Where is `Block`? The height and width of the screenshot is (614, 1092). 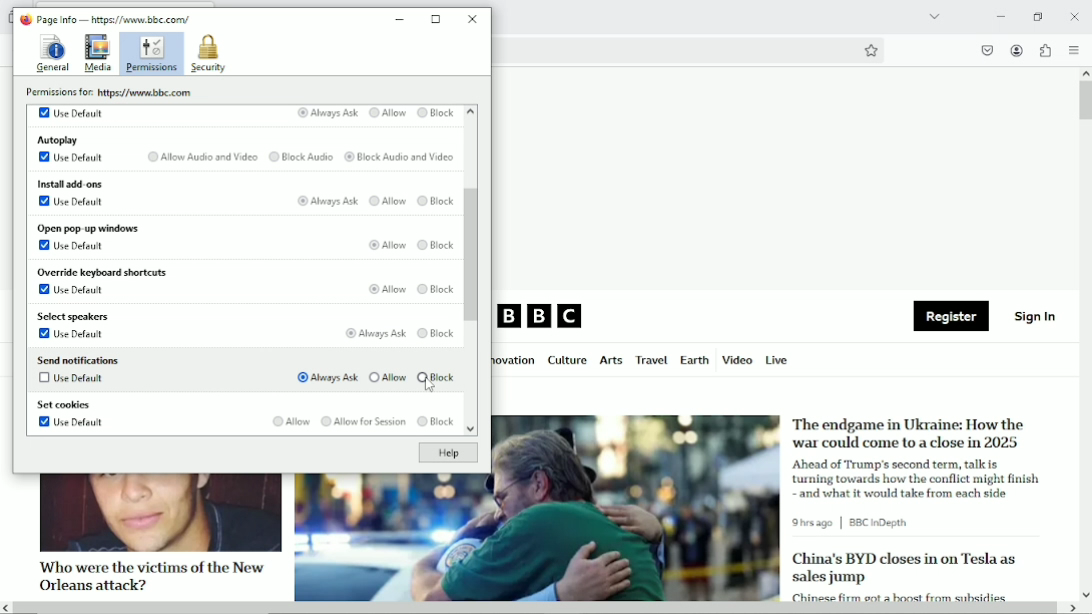
Block is located at coordinates (439, 378).